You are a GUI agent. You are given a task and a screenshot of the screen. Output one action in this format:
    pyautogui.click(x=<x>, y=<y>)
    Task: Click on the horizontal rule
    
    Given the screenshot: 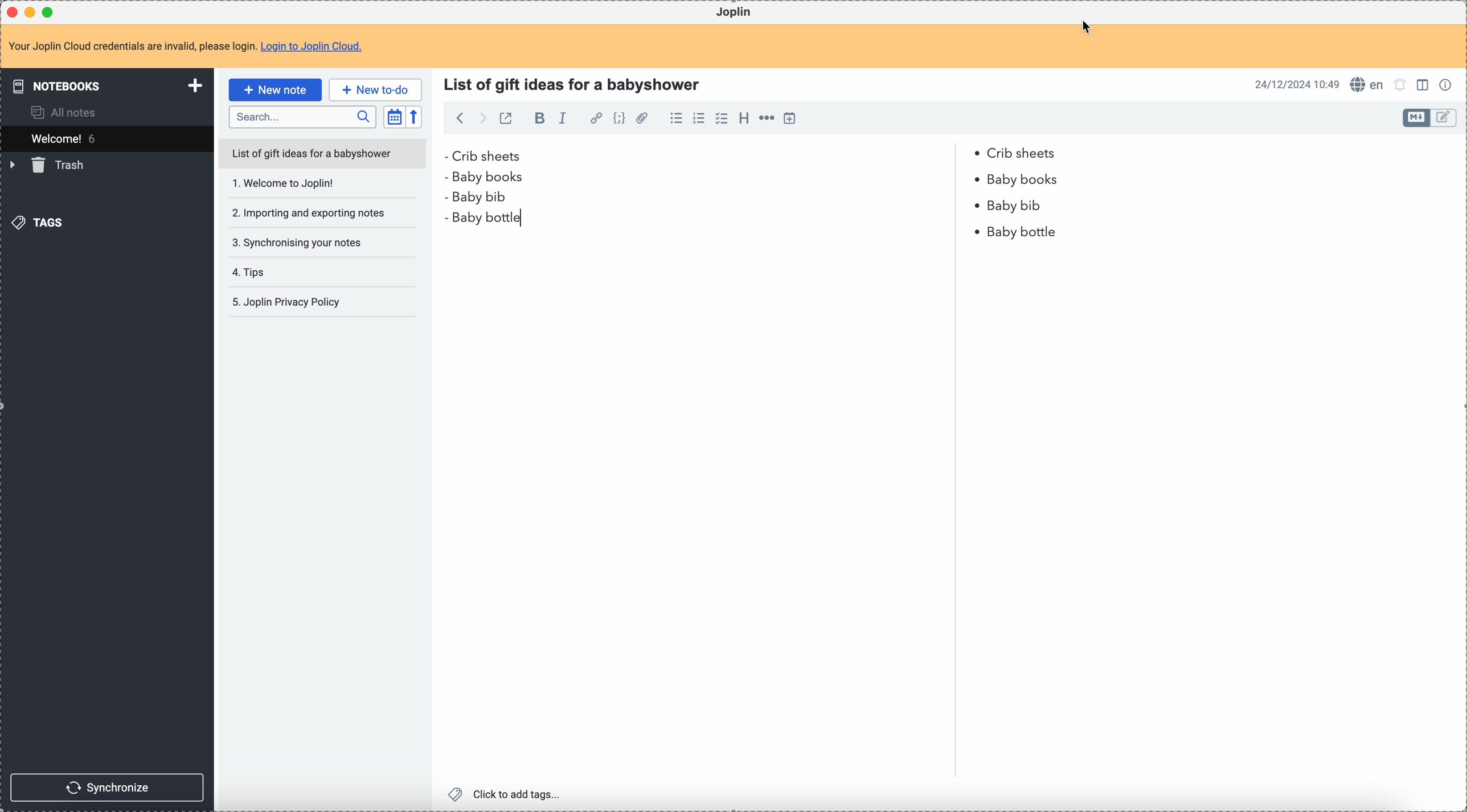 What is the action you would take?
    pyautogui.click(x=768, y=119)
    